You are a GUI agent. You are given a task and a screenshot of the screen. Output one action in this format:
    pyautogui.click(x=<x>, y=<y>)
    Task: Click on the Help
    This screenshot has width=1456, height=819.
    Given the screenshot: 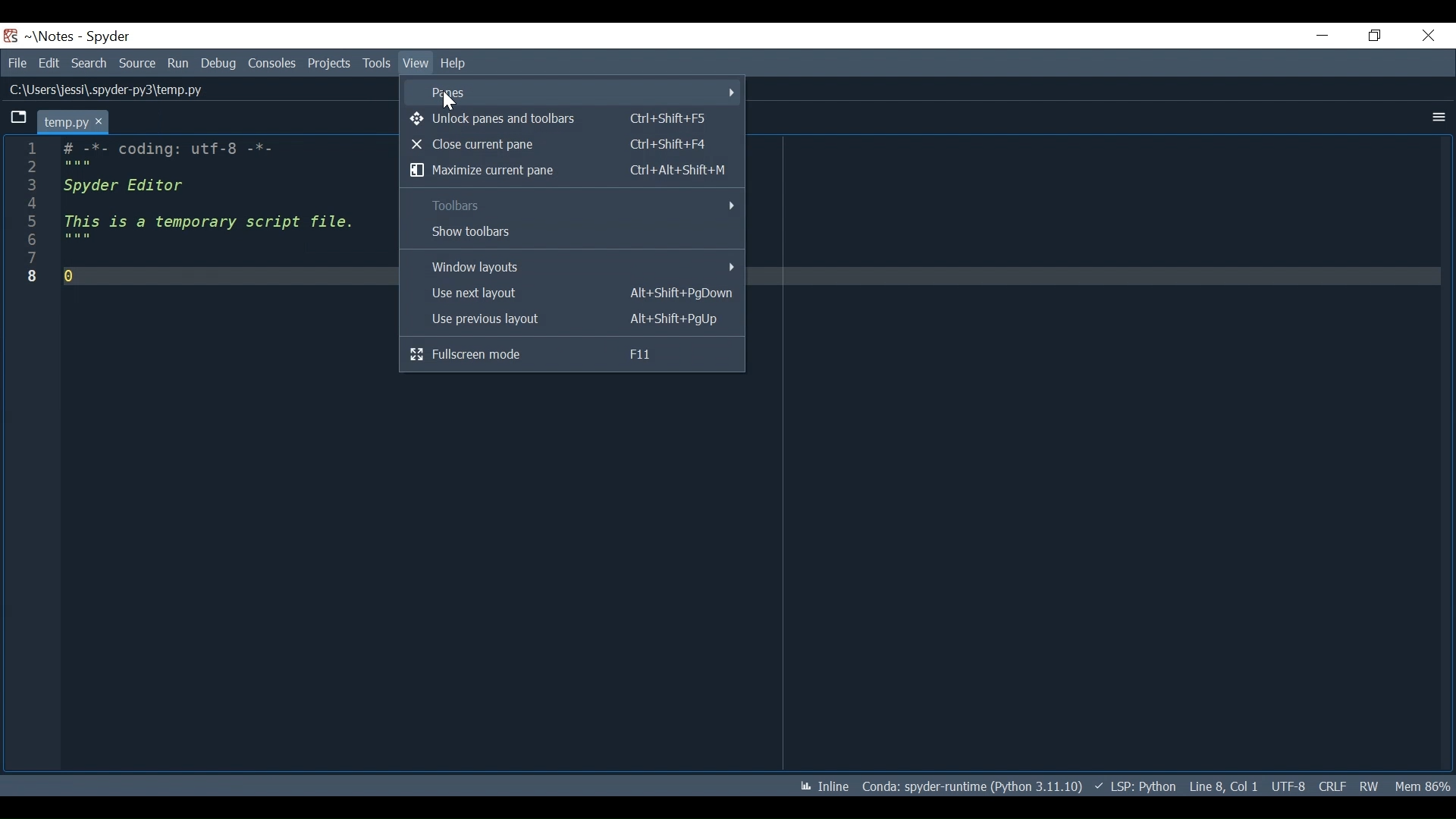 What is the action you would take?
    pyautogui.click(x=454, y=64)
    